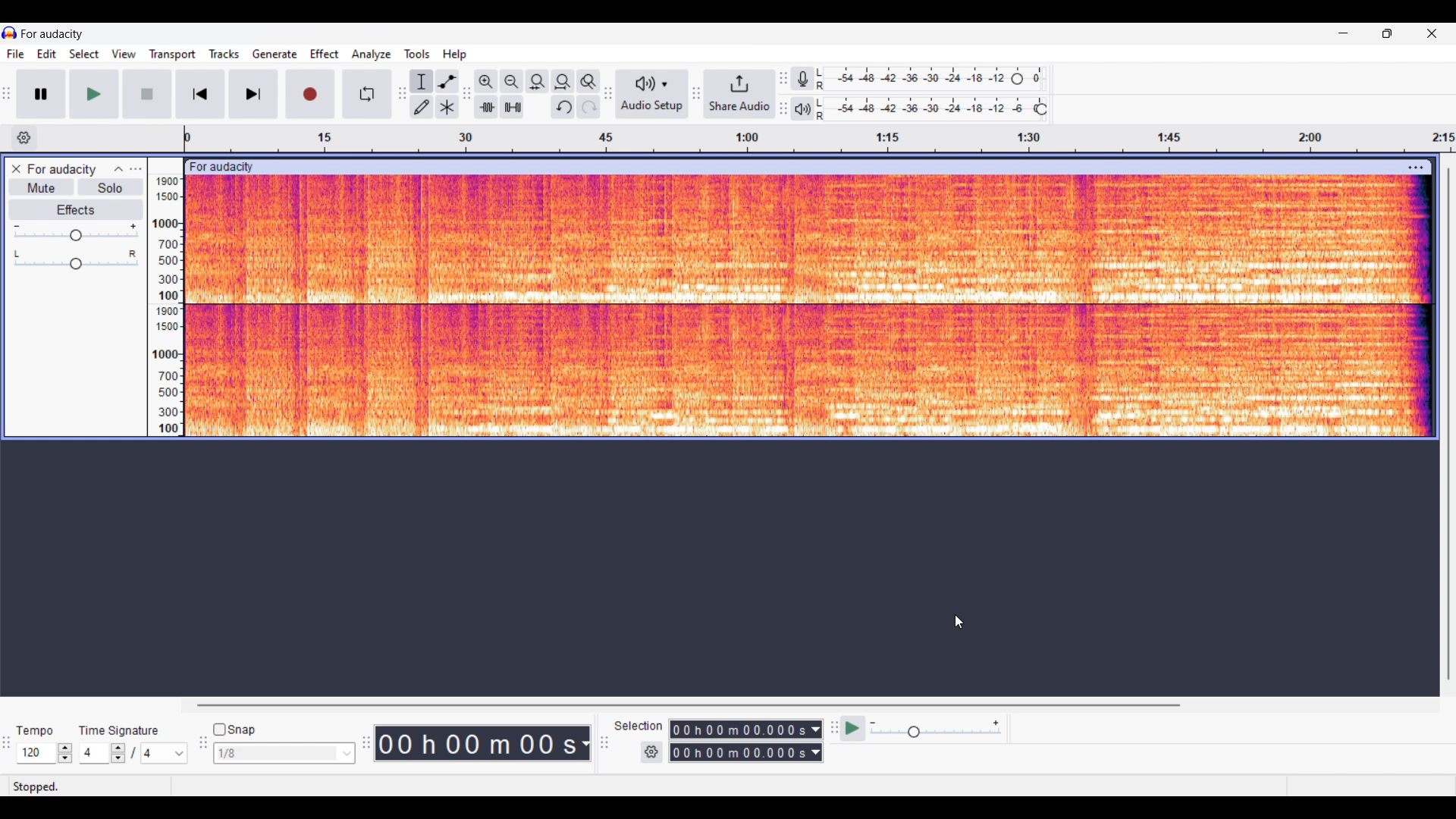 Image resolution: width=1456 pixels, height=819 pixels. What do you see at coordinates (1418, 169) in the screenshot?
I see `Track settings` at bounding box center [1418, 169].